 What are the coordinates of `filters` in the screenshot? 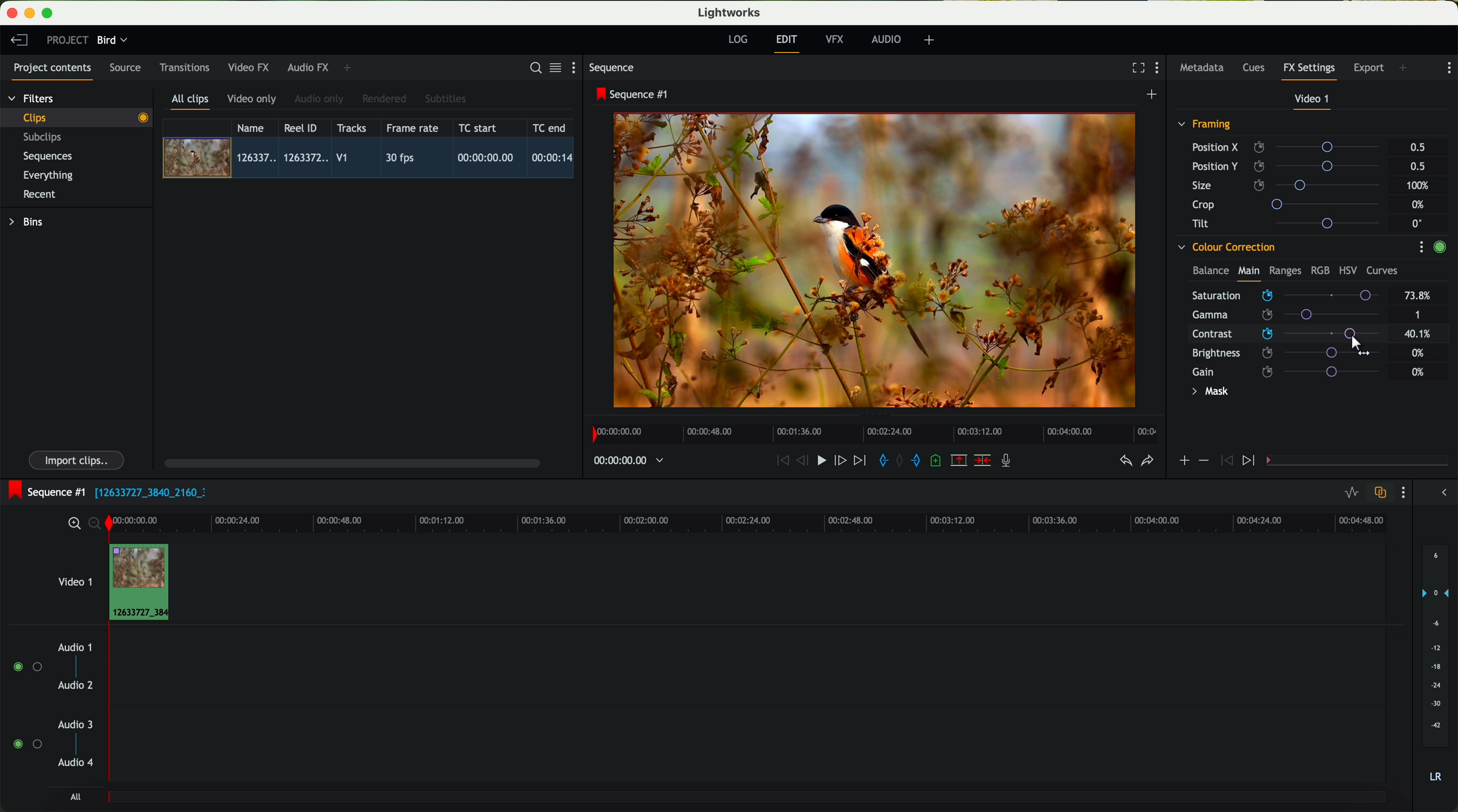 It's located at (32, 98).